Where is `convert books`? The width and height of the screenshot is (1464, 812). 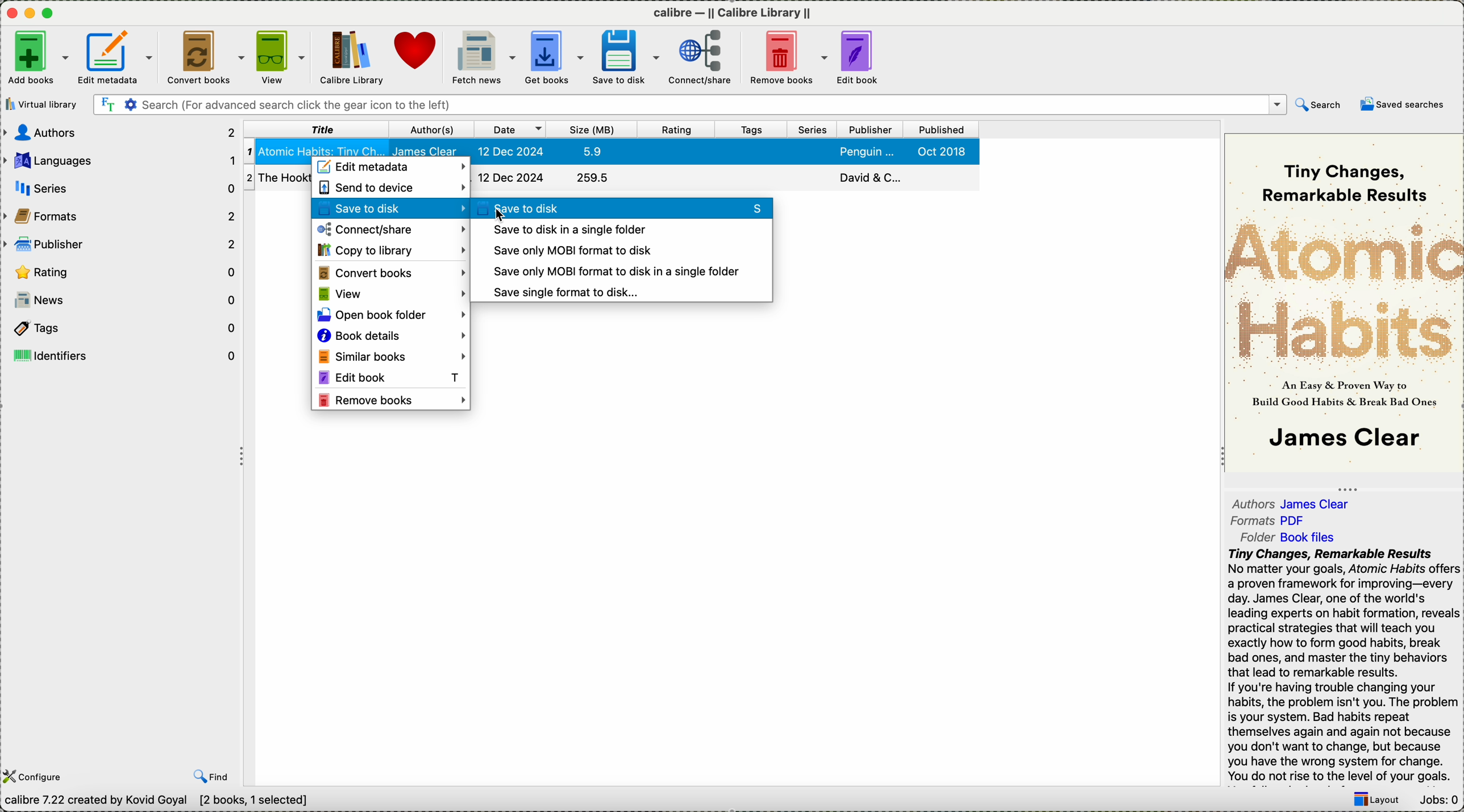
convert books is located at coordinates (390, 273).